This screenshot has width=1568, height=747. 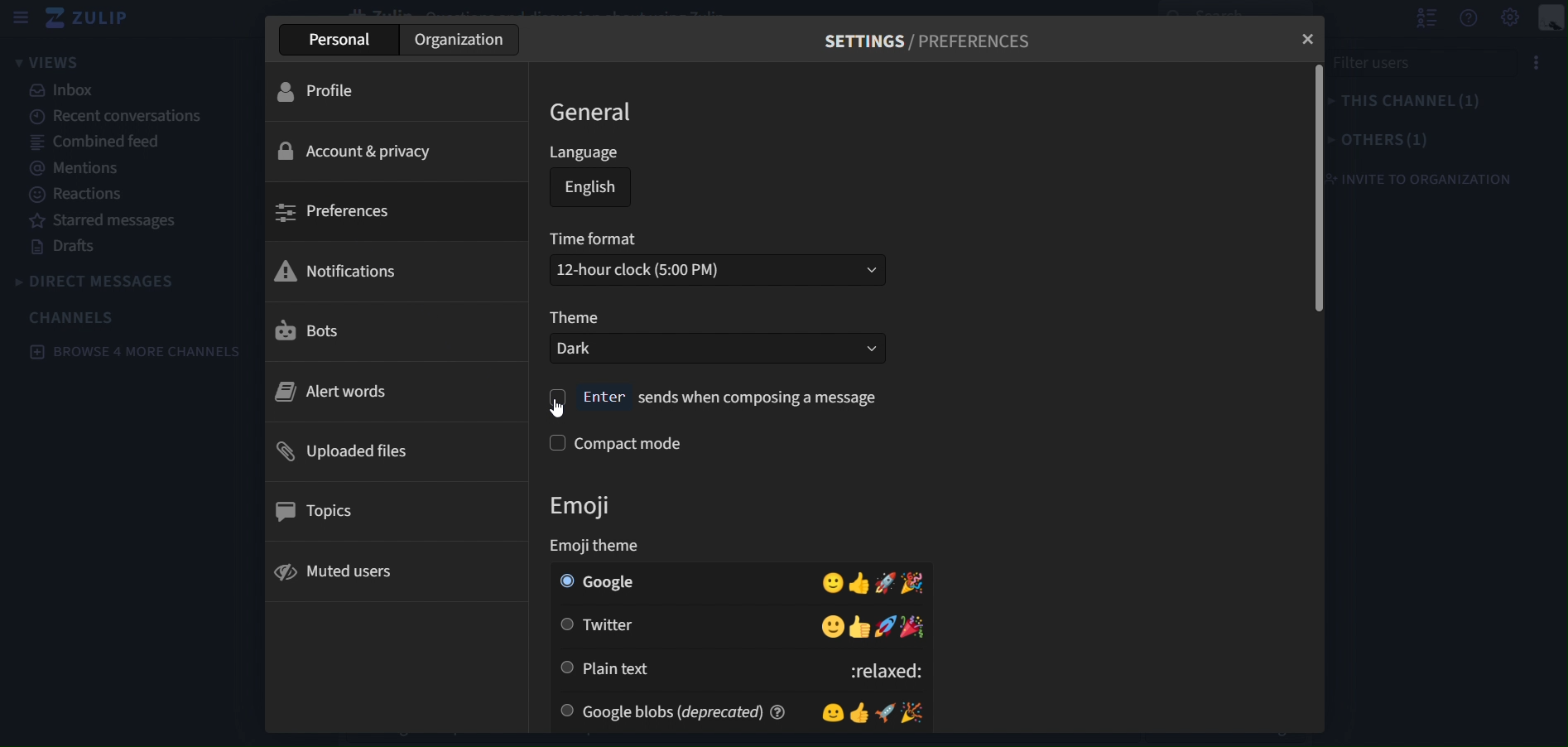 What do you see at coordinates (565, 624) in the screenshot?
I see `Checkbox` at bounding box center [565, 624].